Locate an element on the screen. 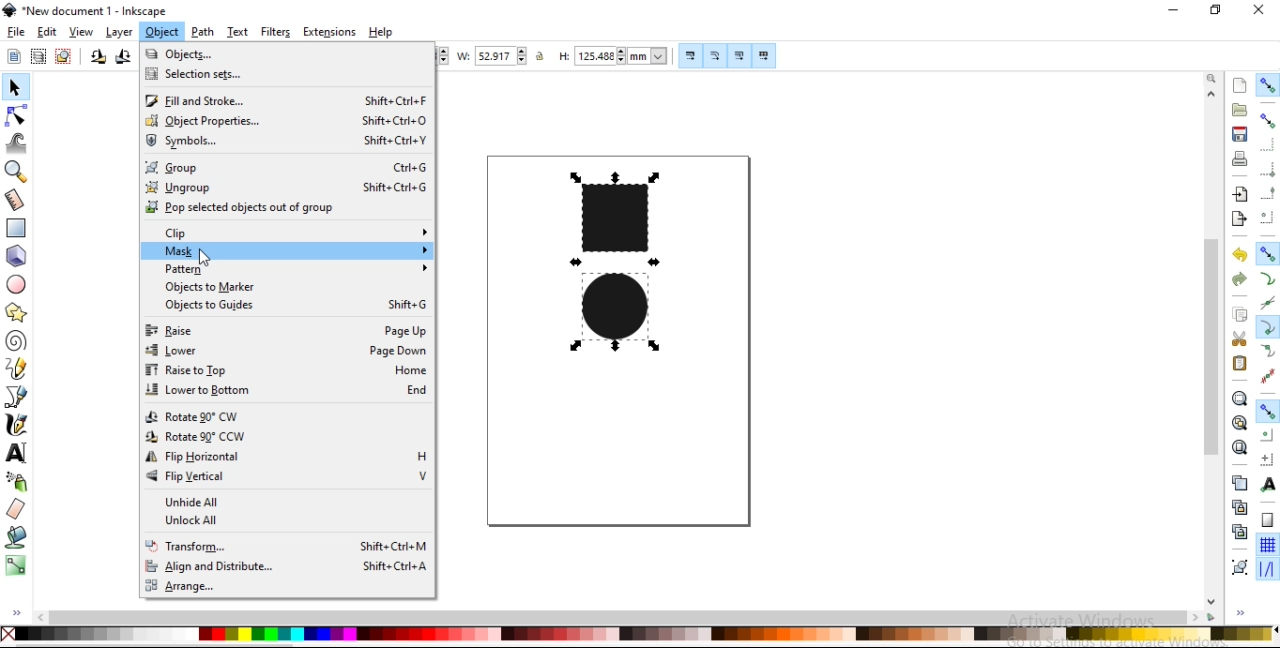  zoom is located at coordinates (1214, 79).